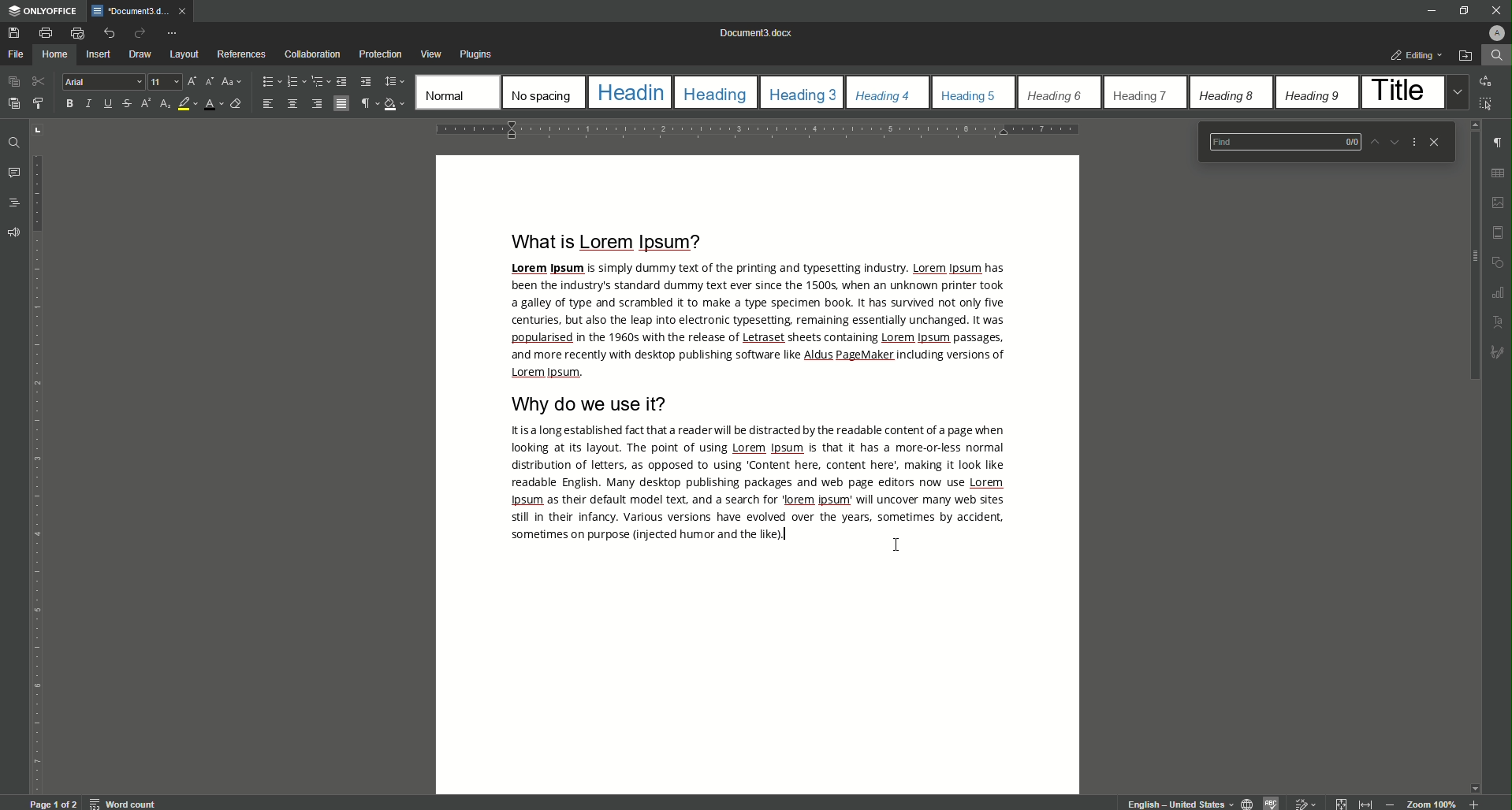  What do you see at coordinates (1435, 141) in the screenshot?
I see `Close` at bounding box center [1435, 141].